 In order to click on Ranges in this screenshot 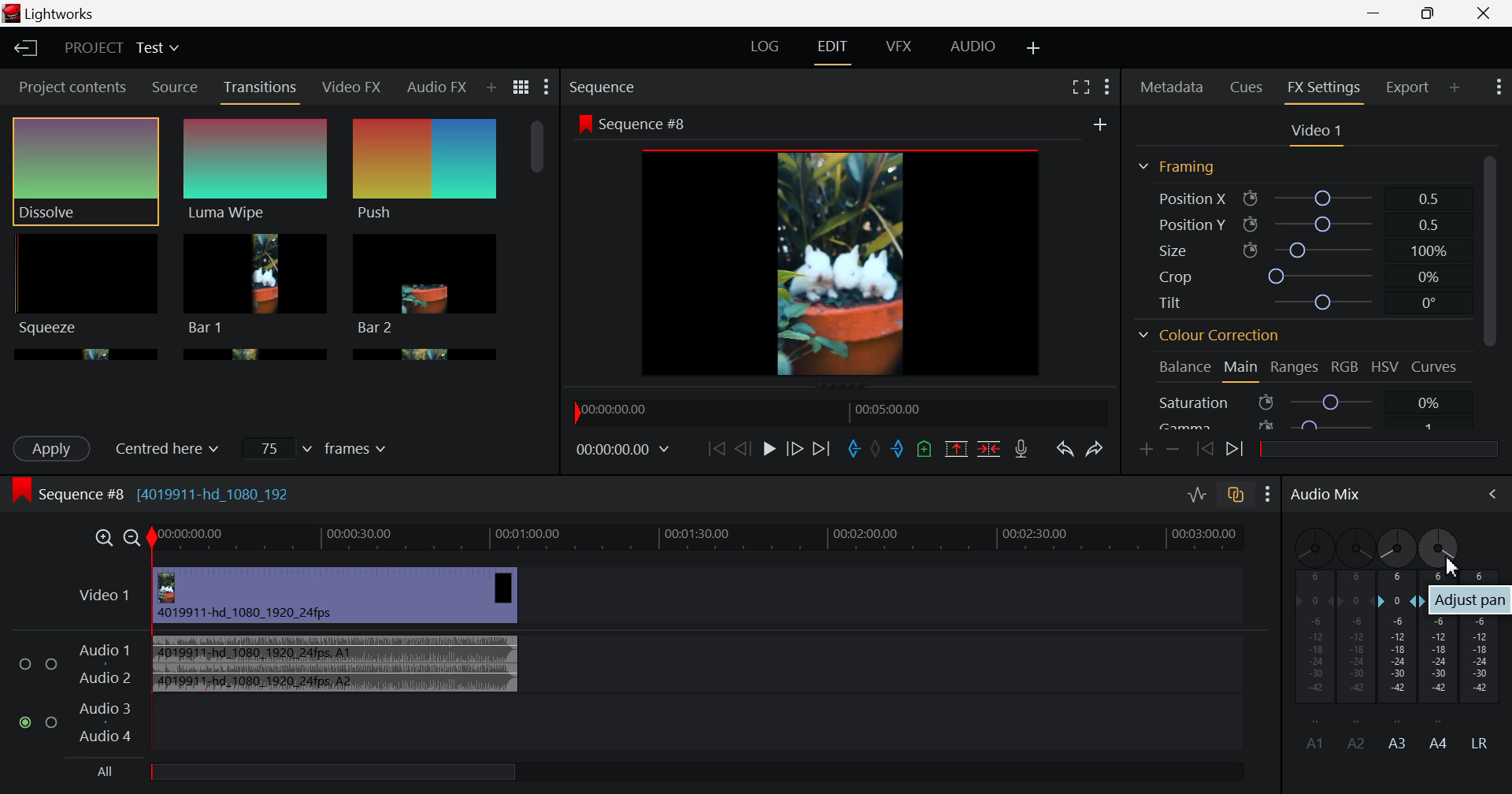, I will do `click(1295, 368)`.